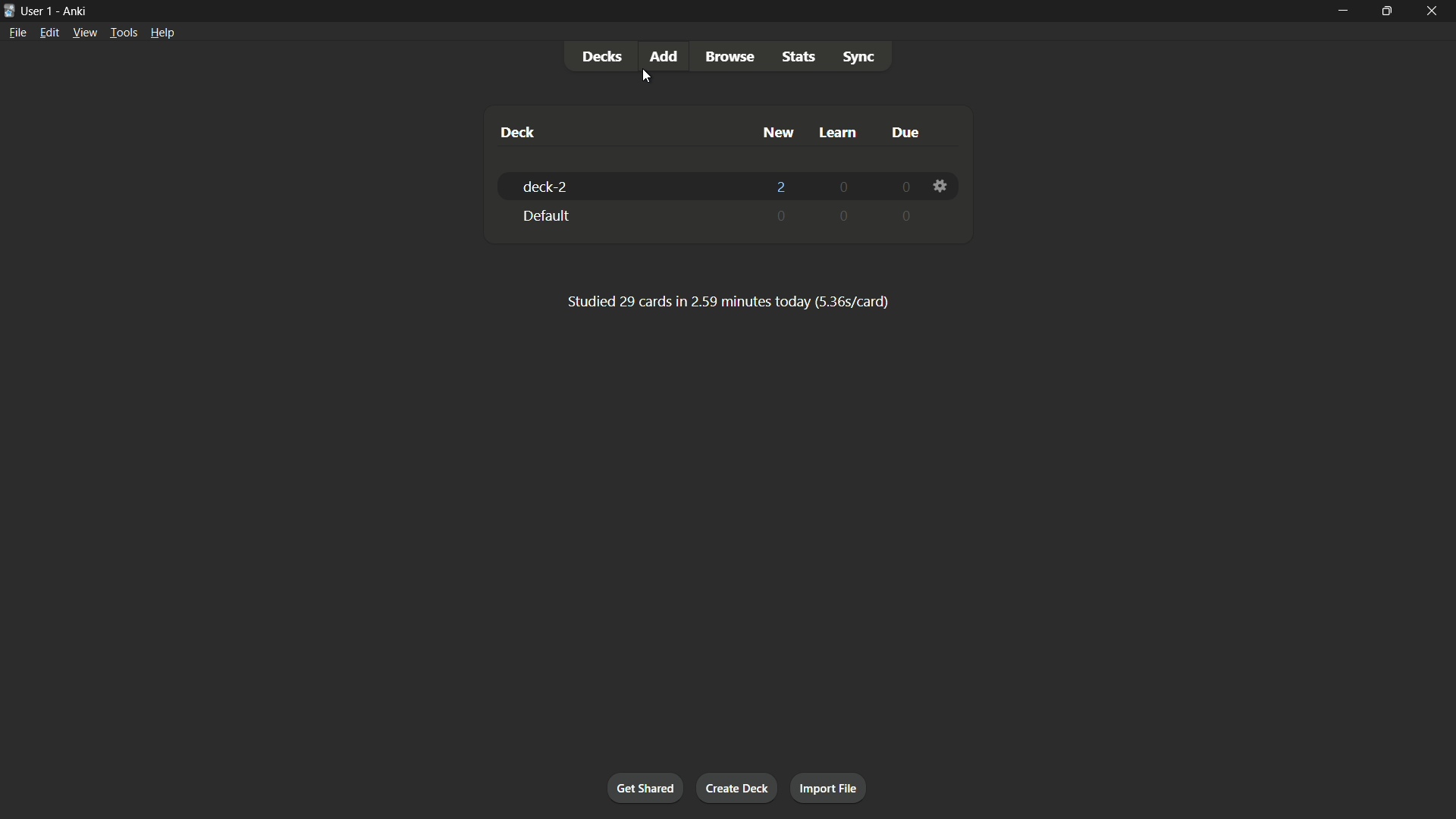 This screenshot has width=1456, height=819. I want to click on stats, so click(802, 58).